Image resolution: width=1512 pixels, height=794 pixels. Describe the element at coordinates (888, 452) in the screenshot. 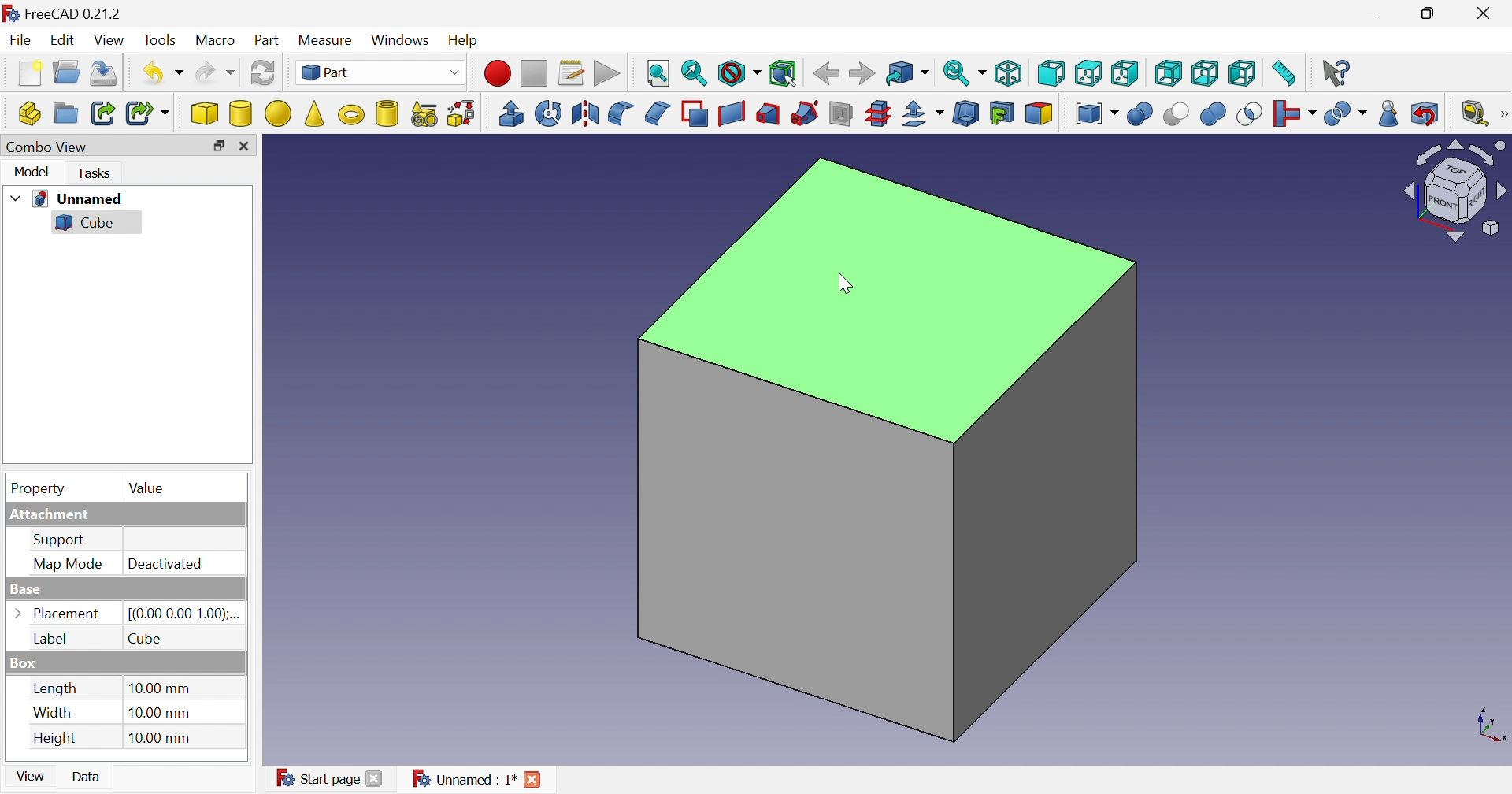

I see `Cube` at that location.